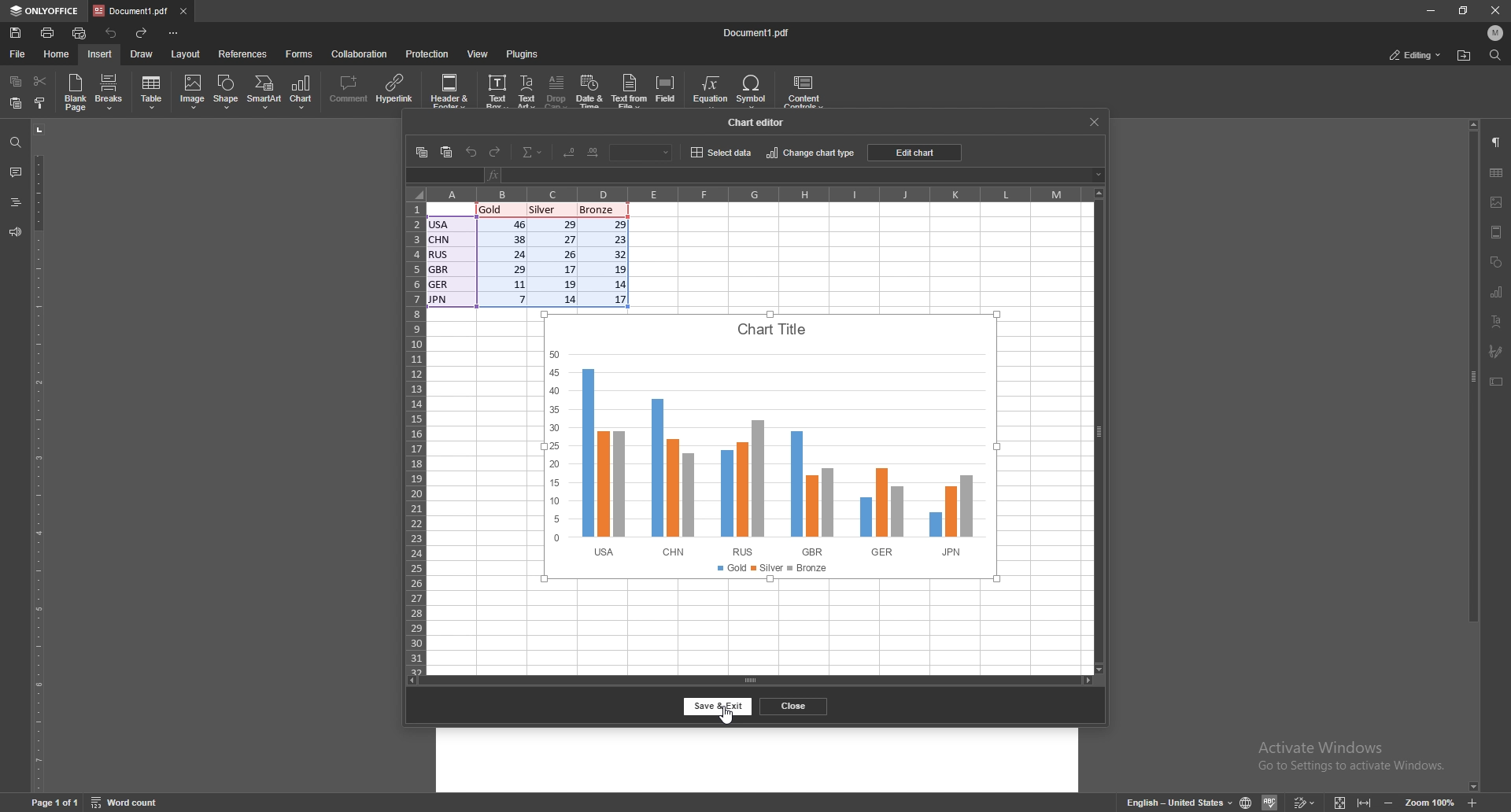 The height and width of the screenshot is (812, 1511). What do you see at coordinates (14, 82) in the screenshot?
I see `copy` at bounding box center [14, 82].